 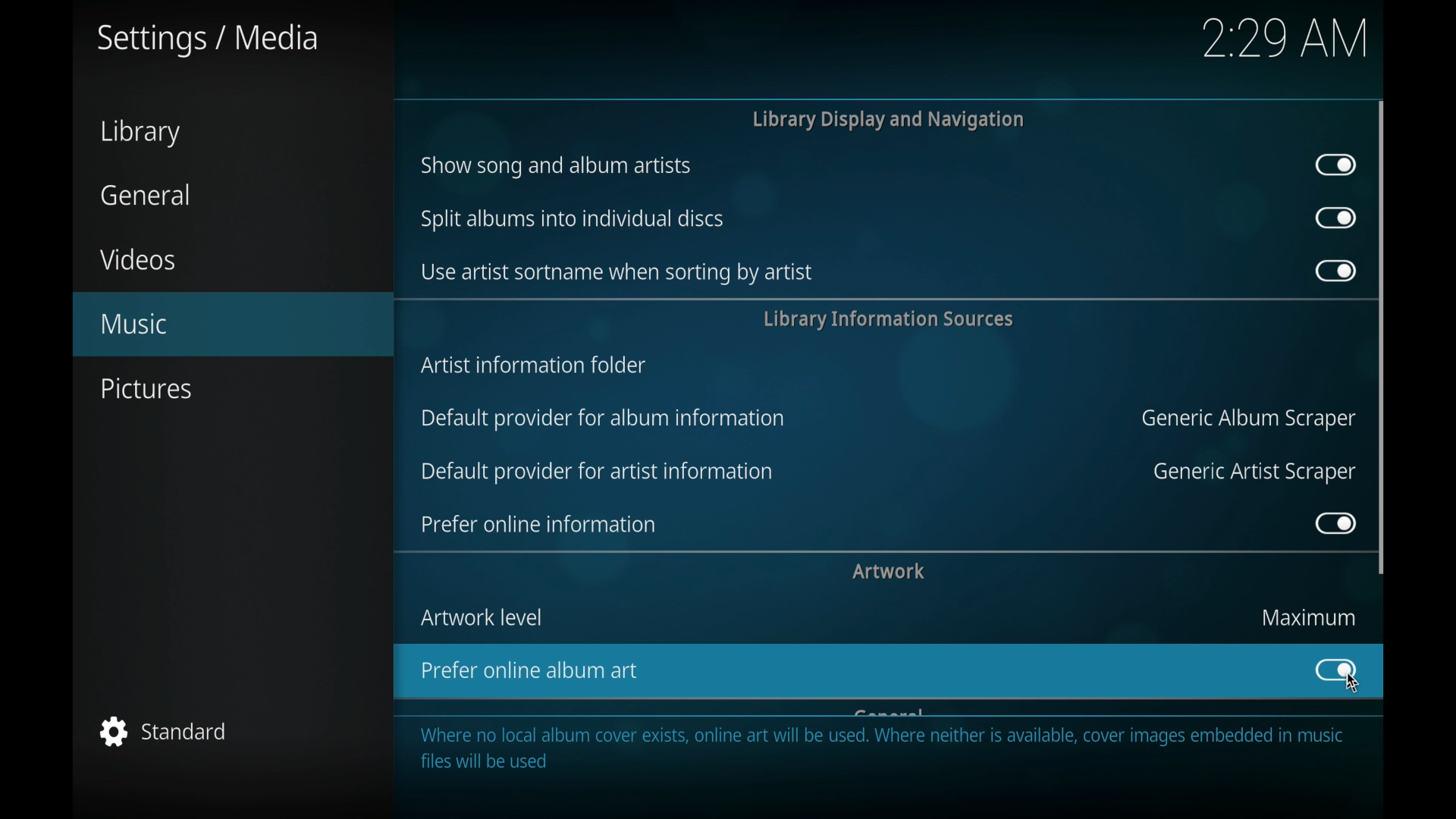 I want to click on toggle button, so click(x=1335, y=670).